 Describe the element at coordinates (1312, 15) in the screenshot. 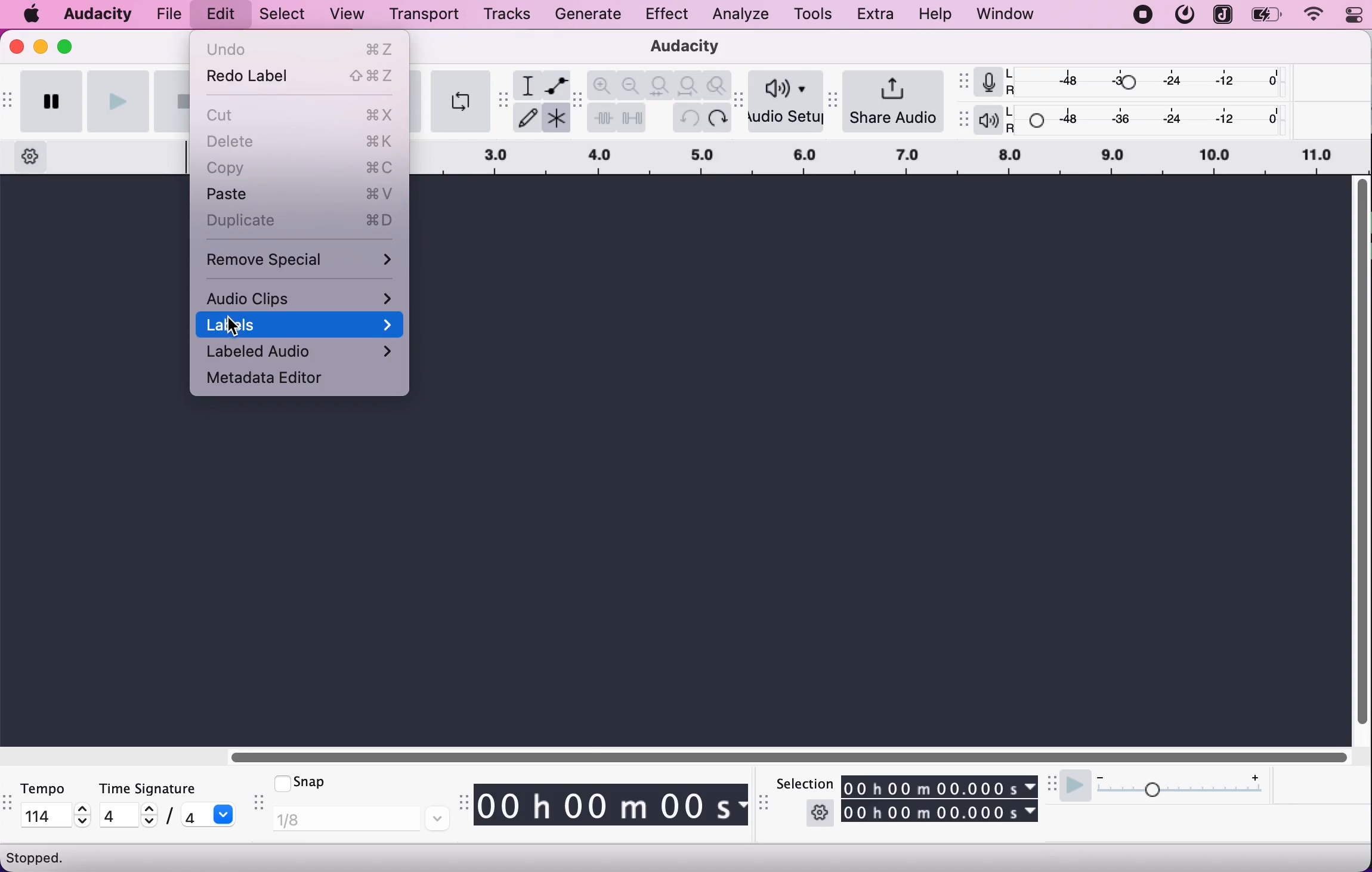

I see `wifi` at that location.